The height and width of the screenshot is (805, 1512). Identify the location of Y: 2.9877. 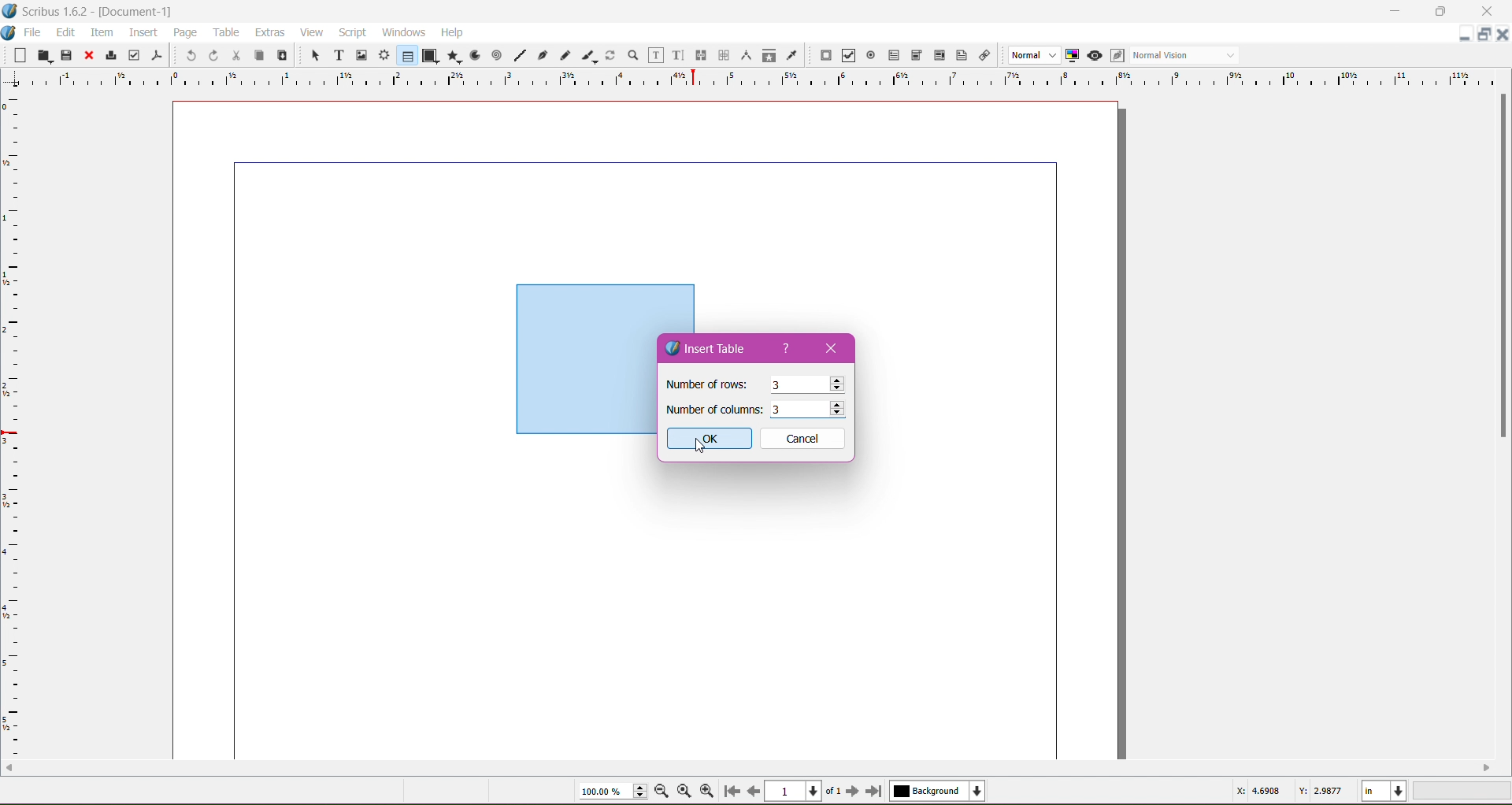
(1323, 789).